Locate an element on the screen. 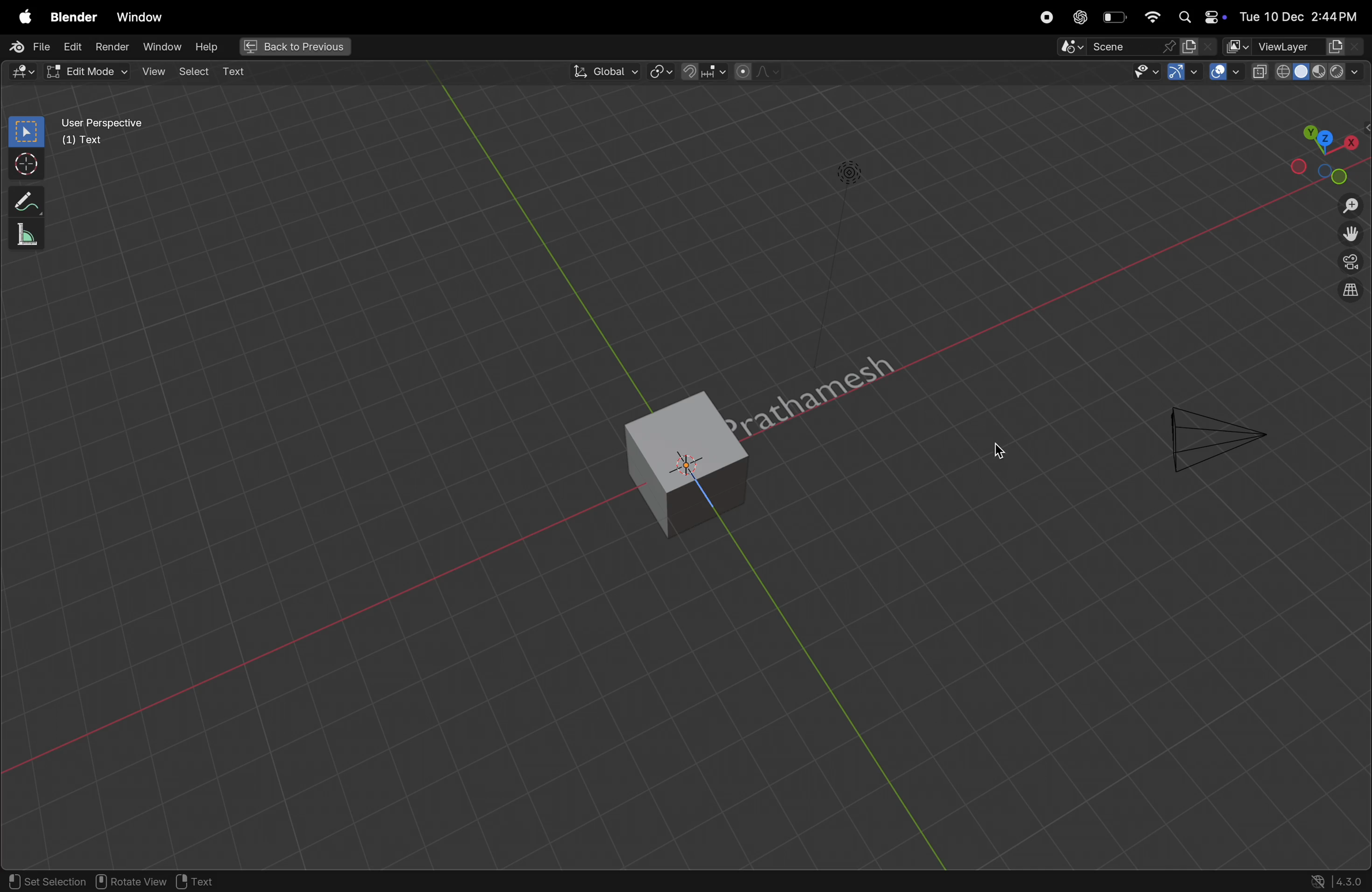 The height and width of the screenshot is (892, 1372). render is located at coordinates (112, 47).